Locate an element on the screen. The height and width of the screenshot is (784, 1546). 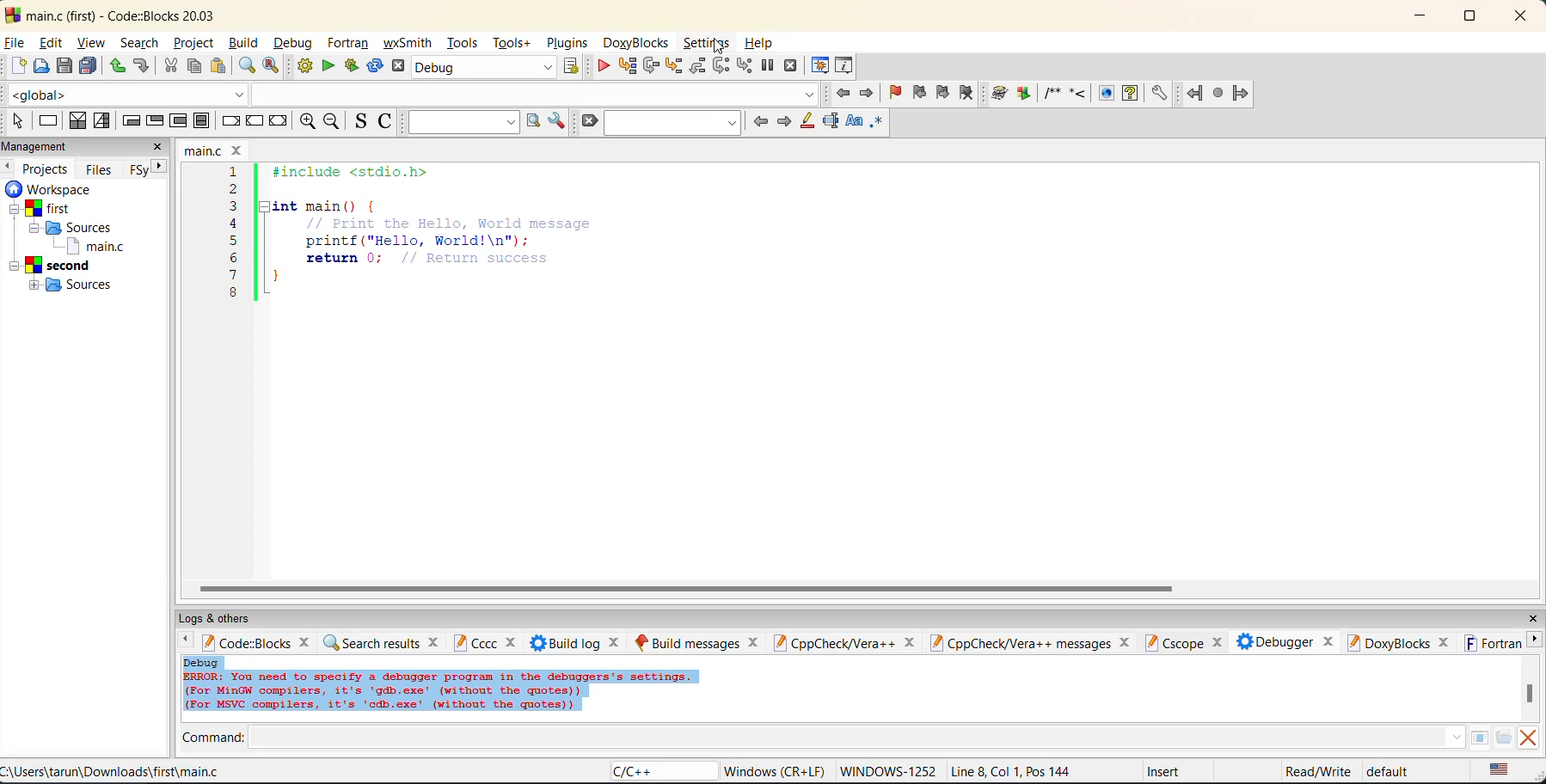
debugging windows is located at coordinates (819, 65).